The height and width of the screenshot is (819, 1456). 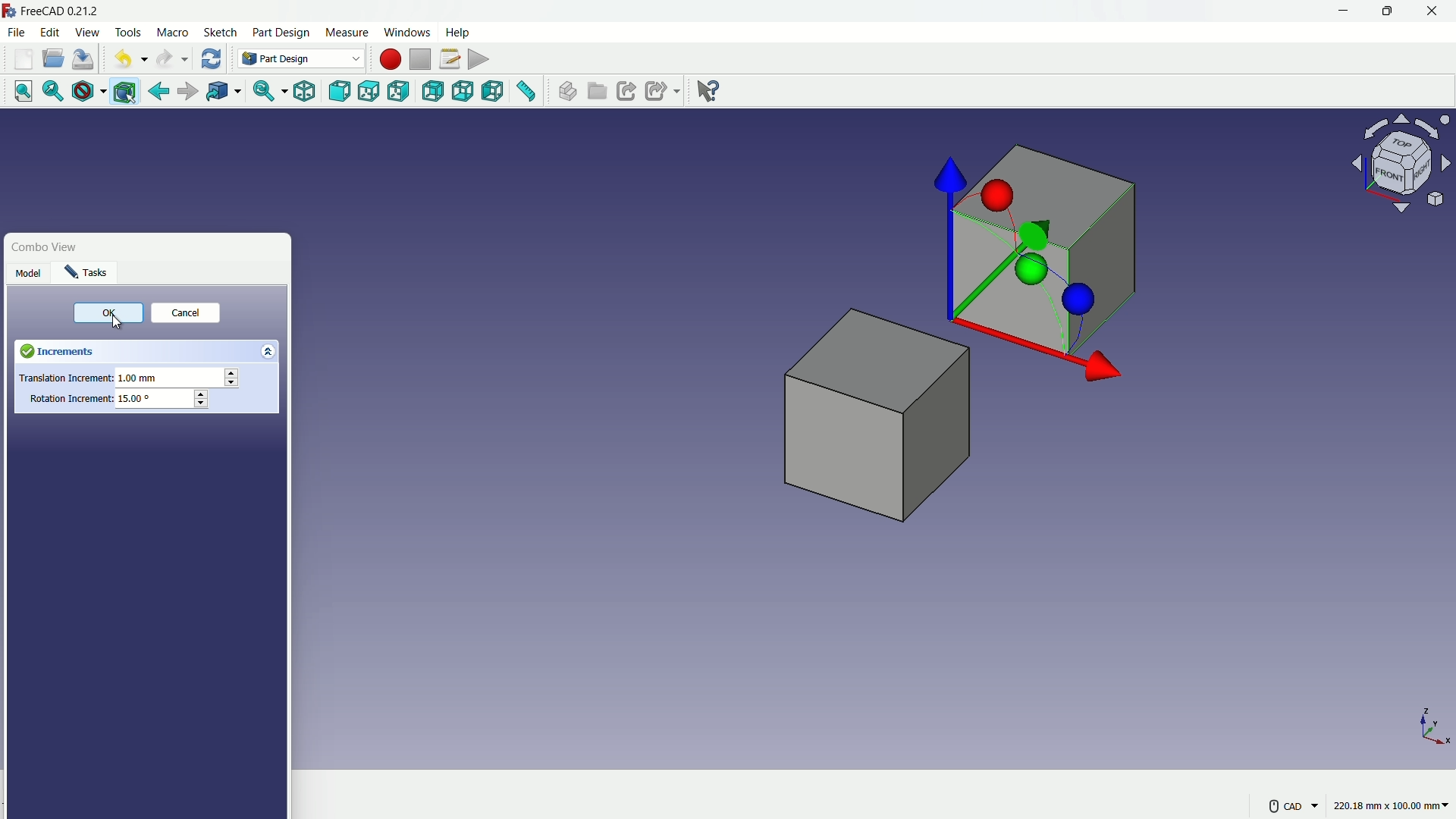 What do you see at coordinates (527, 93) in the screenshot?
I see `measure` at bounding box center [527, 93].